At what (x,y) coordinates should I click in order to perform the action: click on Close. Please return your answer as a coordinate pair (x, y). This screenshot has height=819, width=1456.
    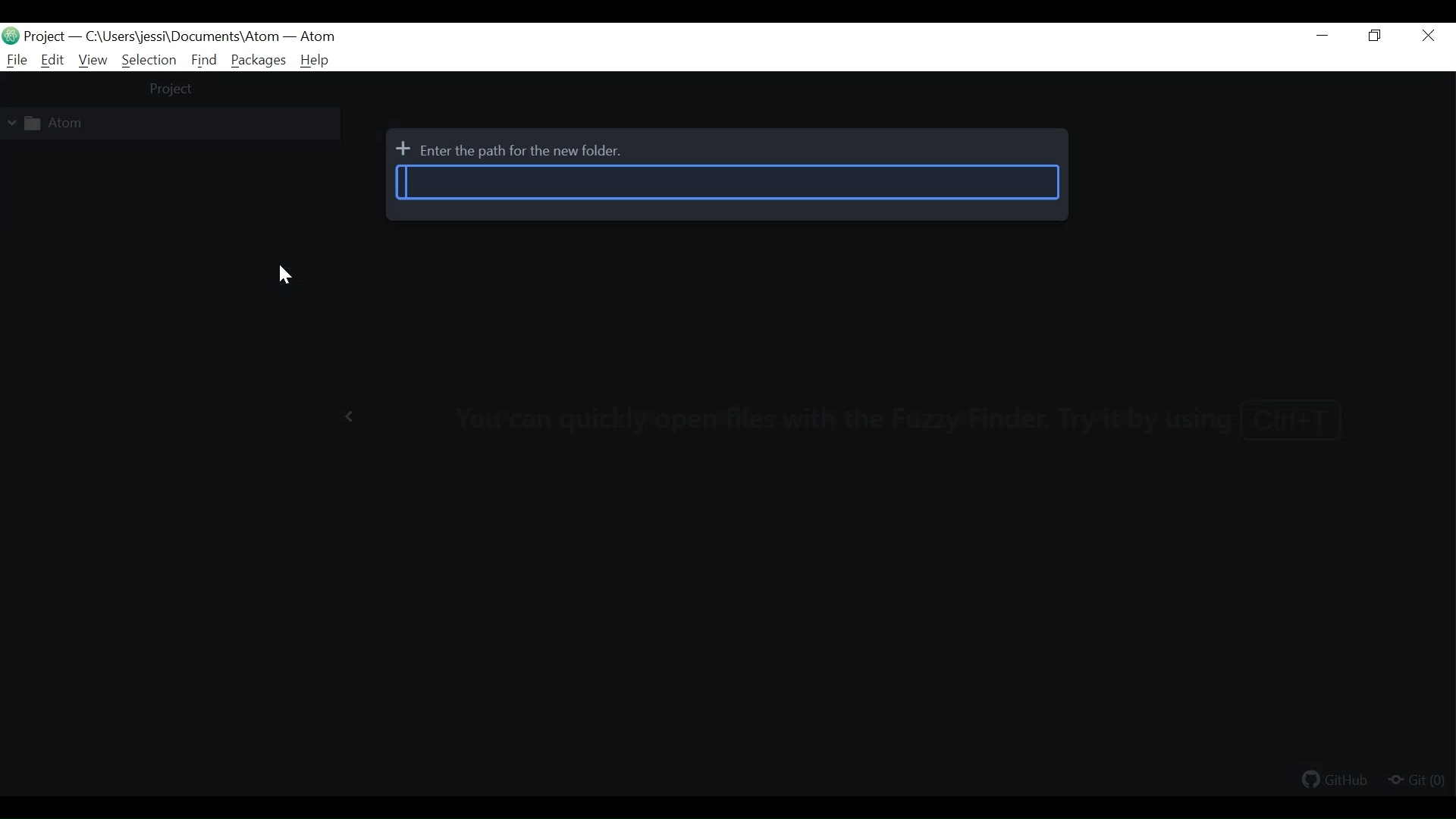
    Looking at the image, I should click on (1429, 36).